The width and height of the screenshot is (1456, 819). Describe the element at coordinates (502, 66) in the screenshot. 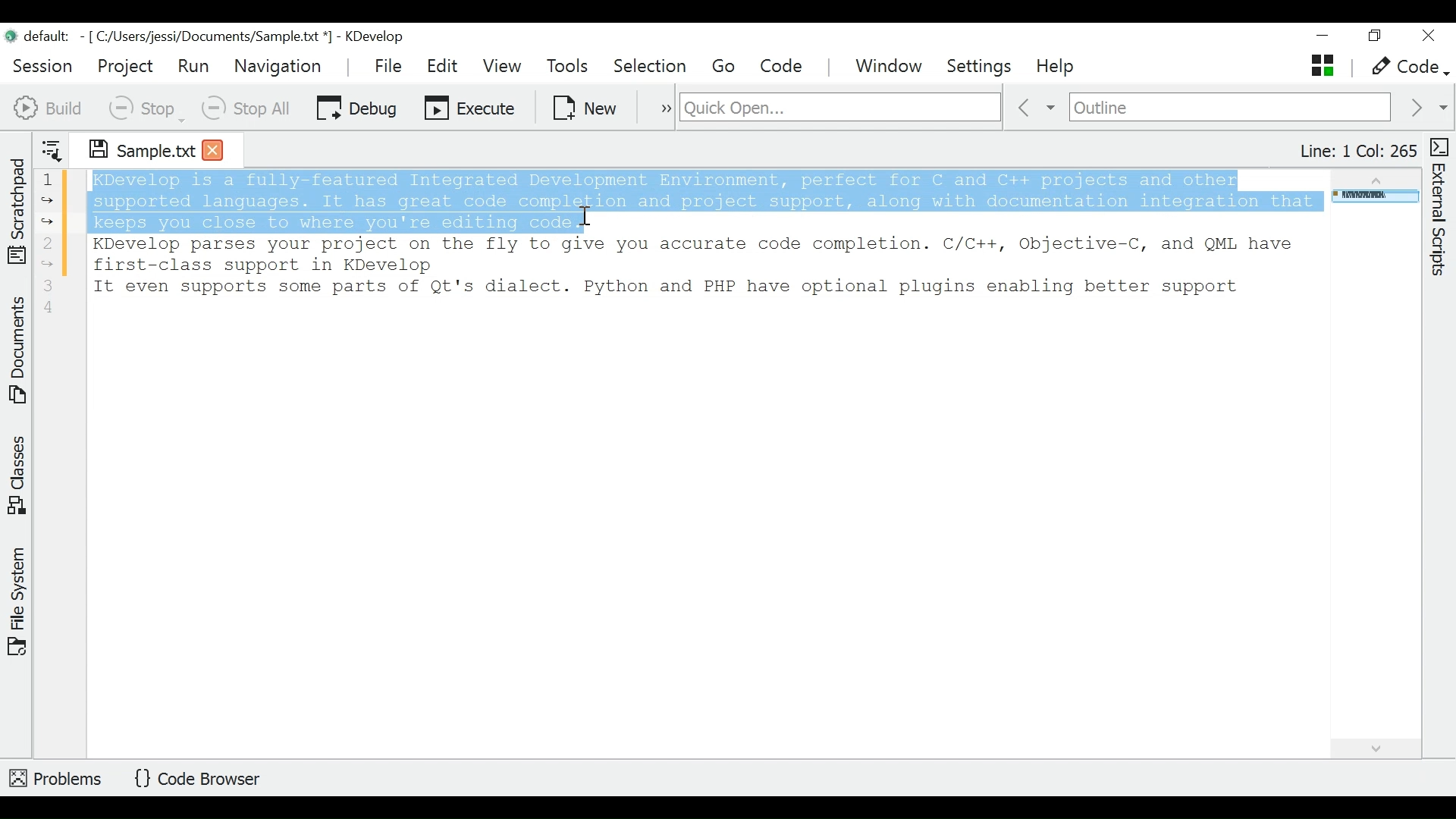

I see `View` at that location.